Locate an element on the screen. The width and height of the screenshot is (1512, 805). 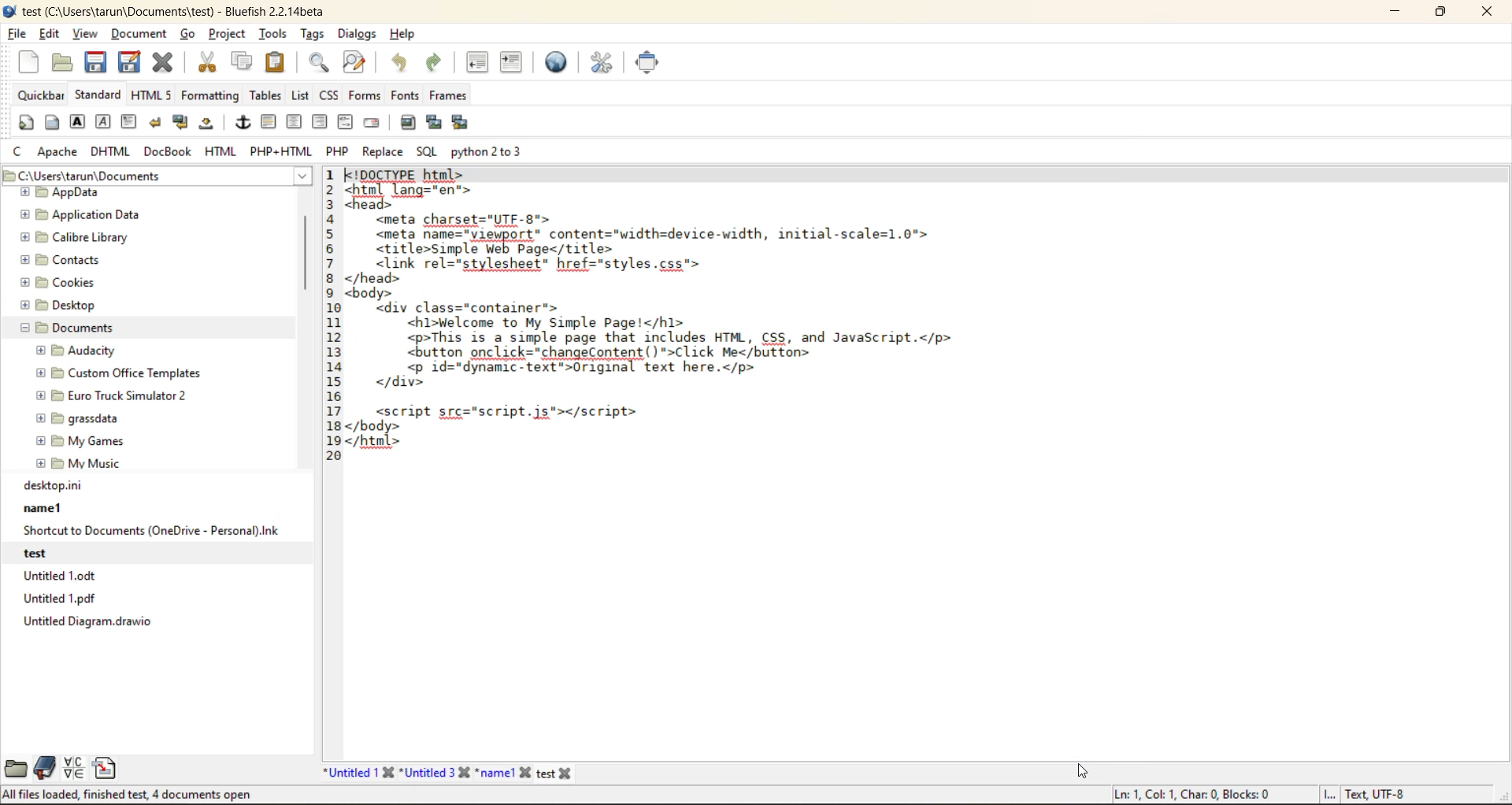
html 5 is located at coordinates (152, 95).